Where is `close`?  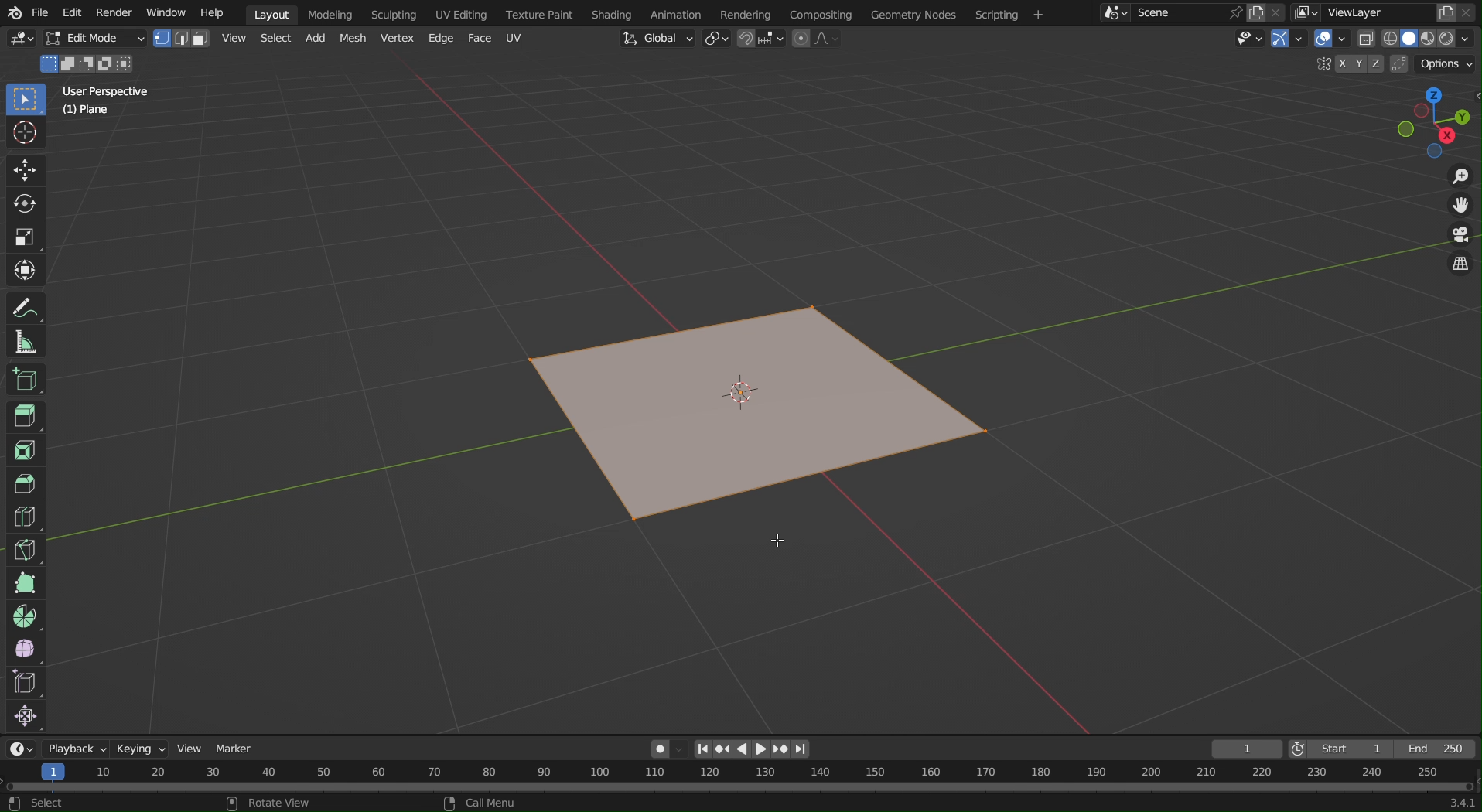 close is located at coordinates (1279, 11).